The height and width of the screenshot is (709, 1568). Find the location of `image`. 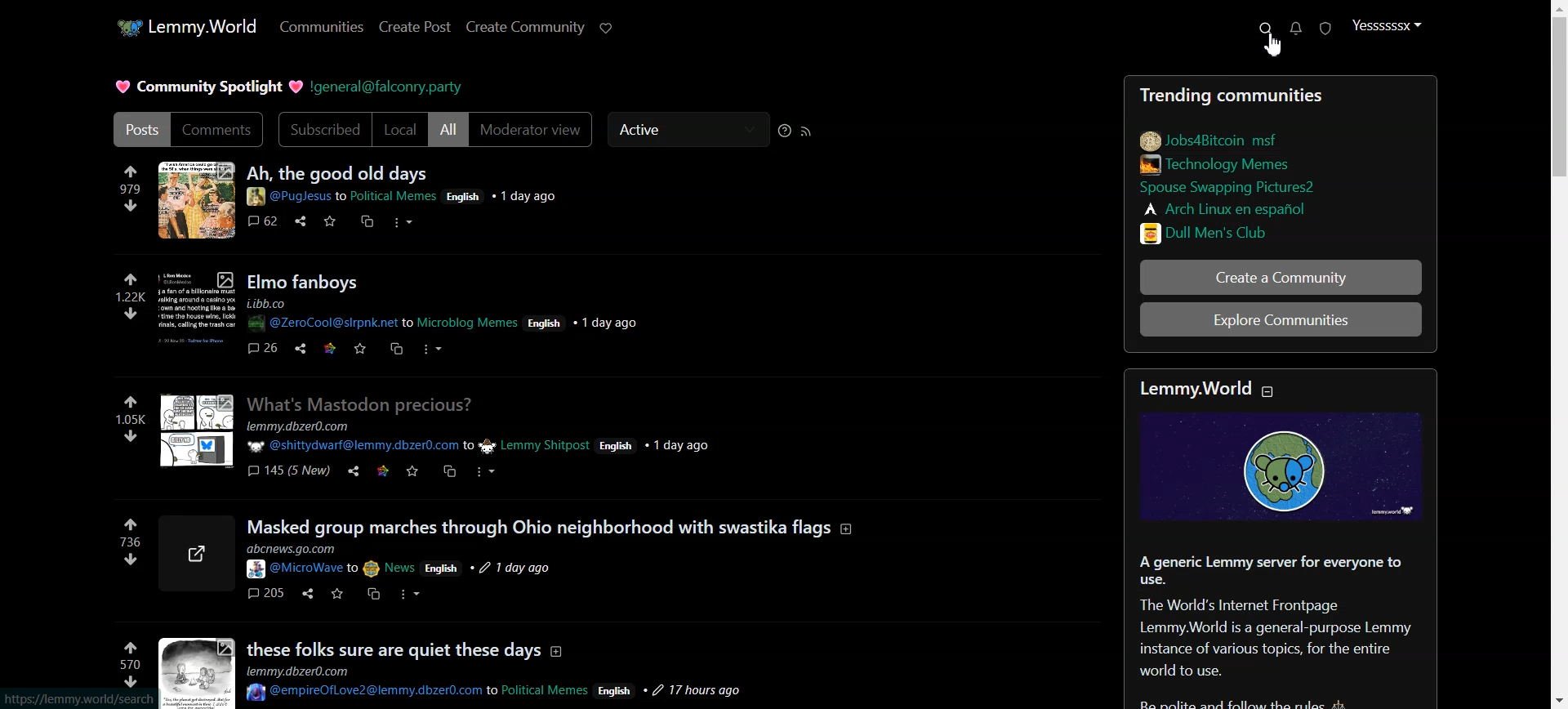

image is located at coordinates (1283, 471).